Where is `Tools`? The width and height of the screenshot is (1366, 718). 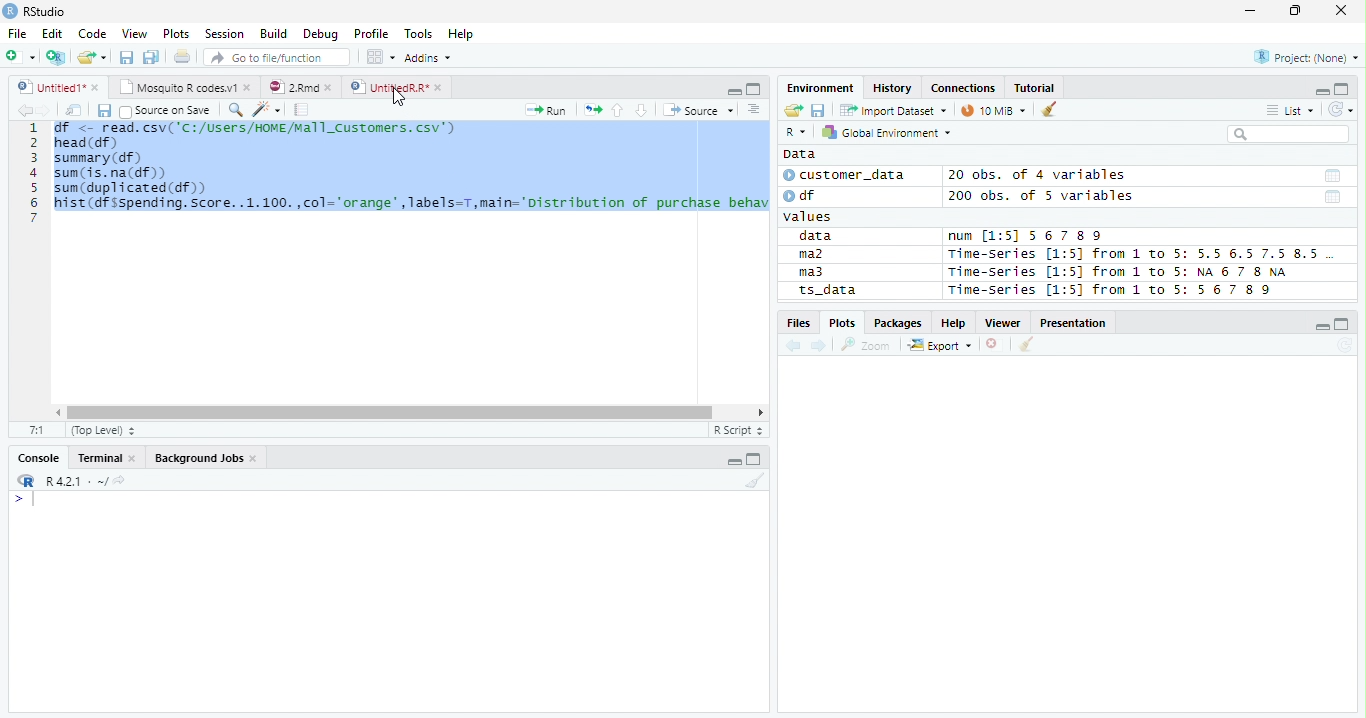
Tools is located at coordinates (422, 32).